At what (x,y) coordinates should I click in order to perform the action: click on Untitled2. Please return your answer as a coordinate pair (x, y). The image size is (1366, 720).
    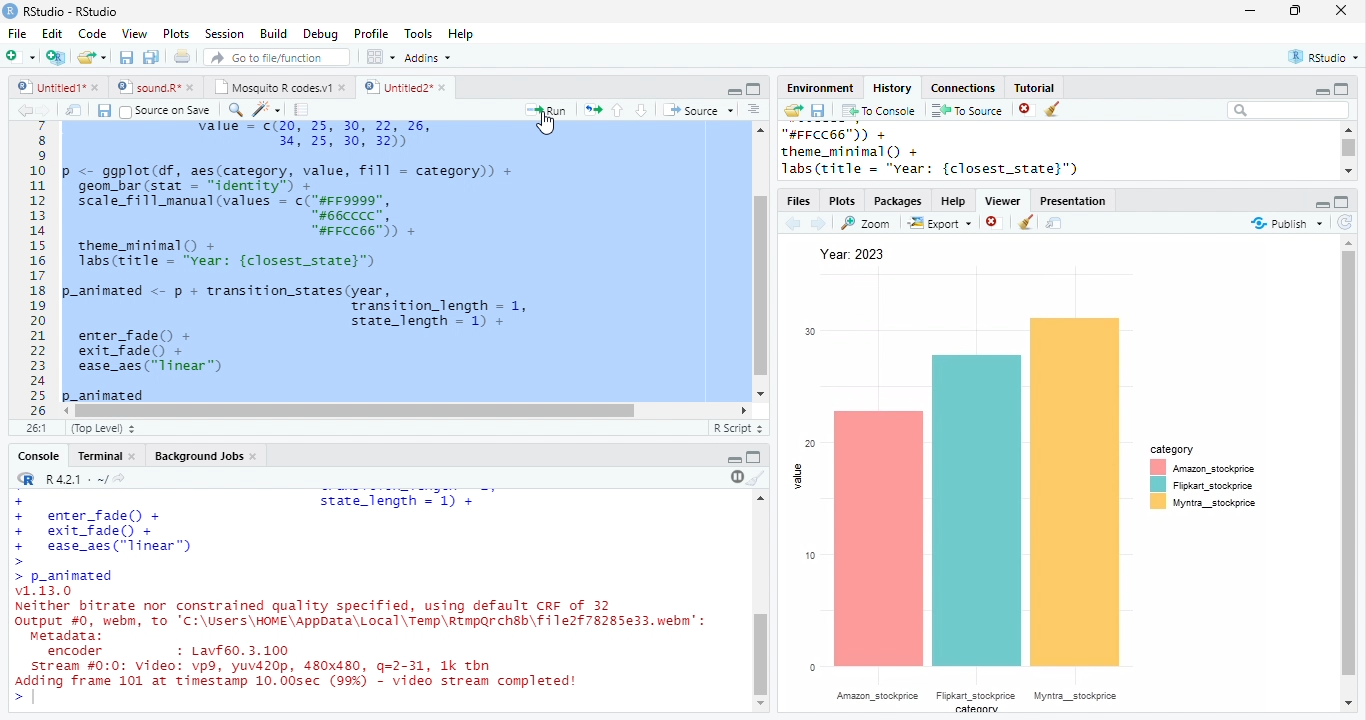
    Looking at the image, I should click on (396, 87).